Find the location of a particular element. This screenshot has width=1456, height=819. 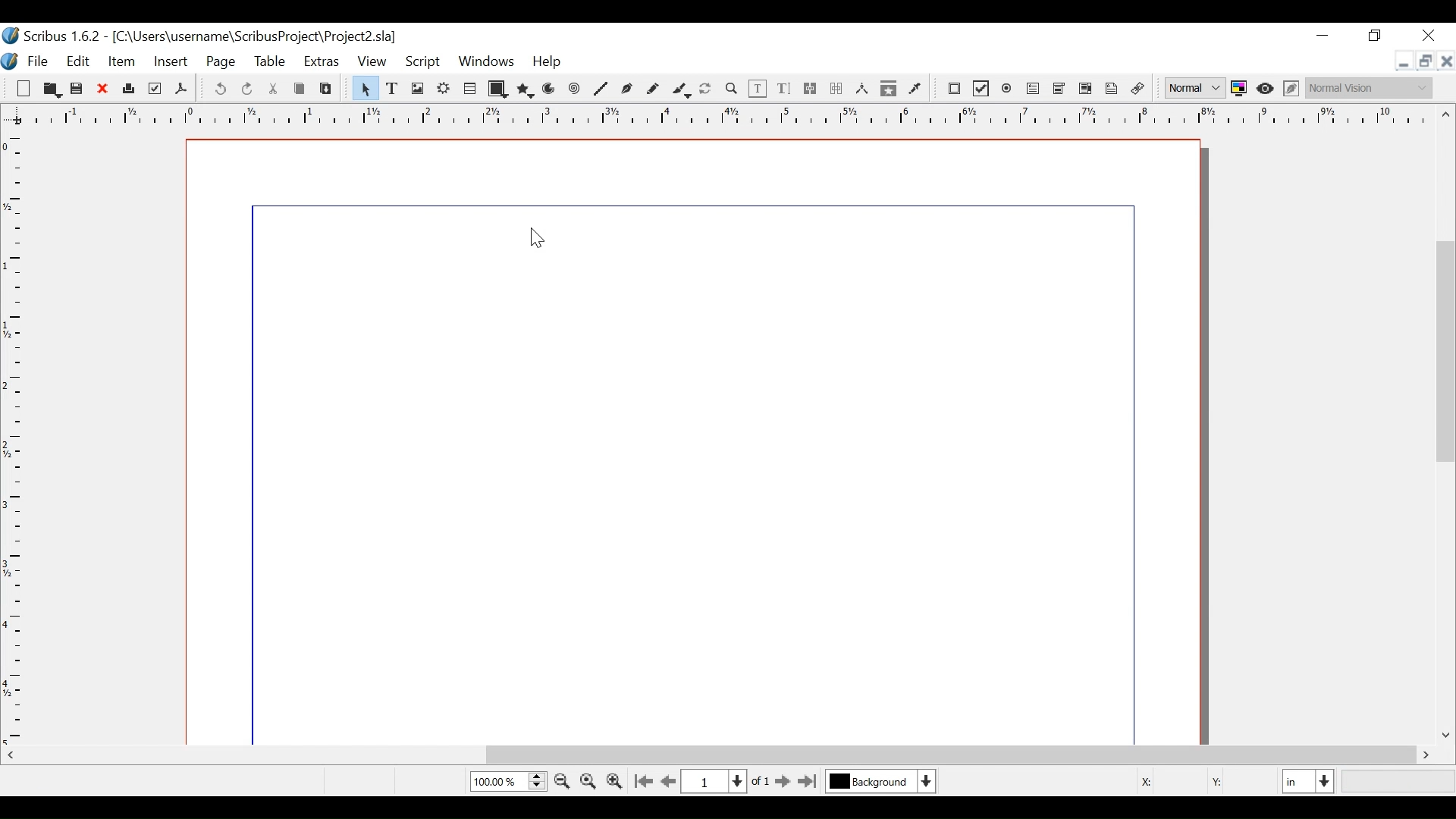

Vertical Rule is located at coordinates (15, 451).